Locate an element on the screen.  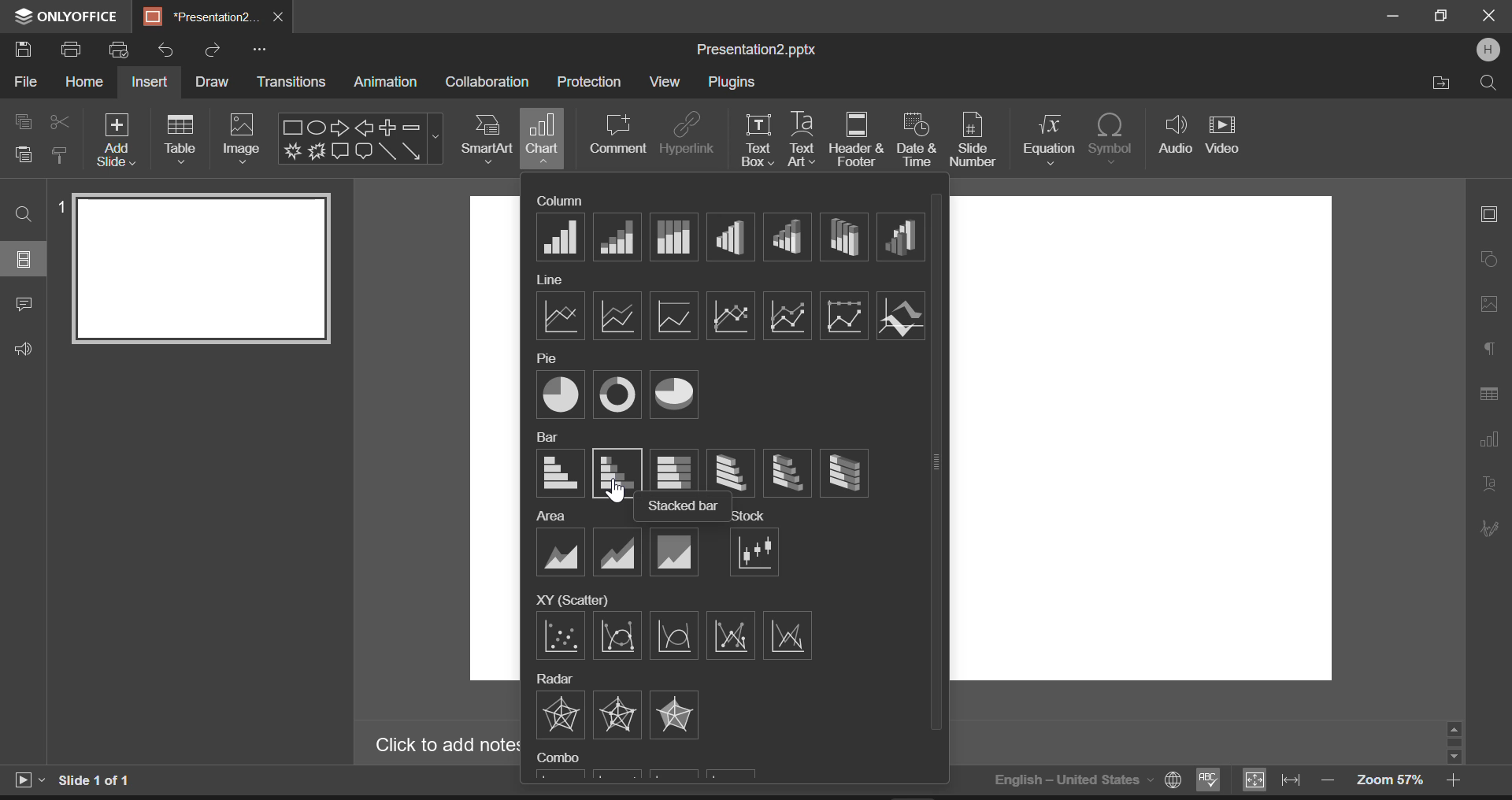
Radar with markers is located at coordinates (619, 714).